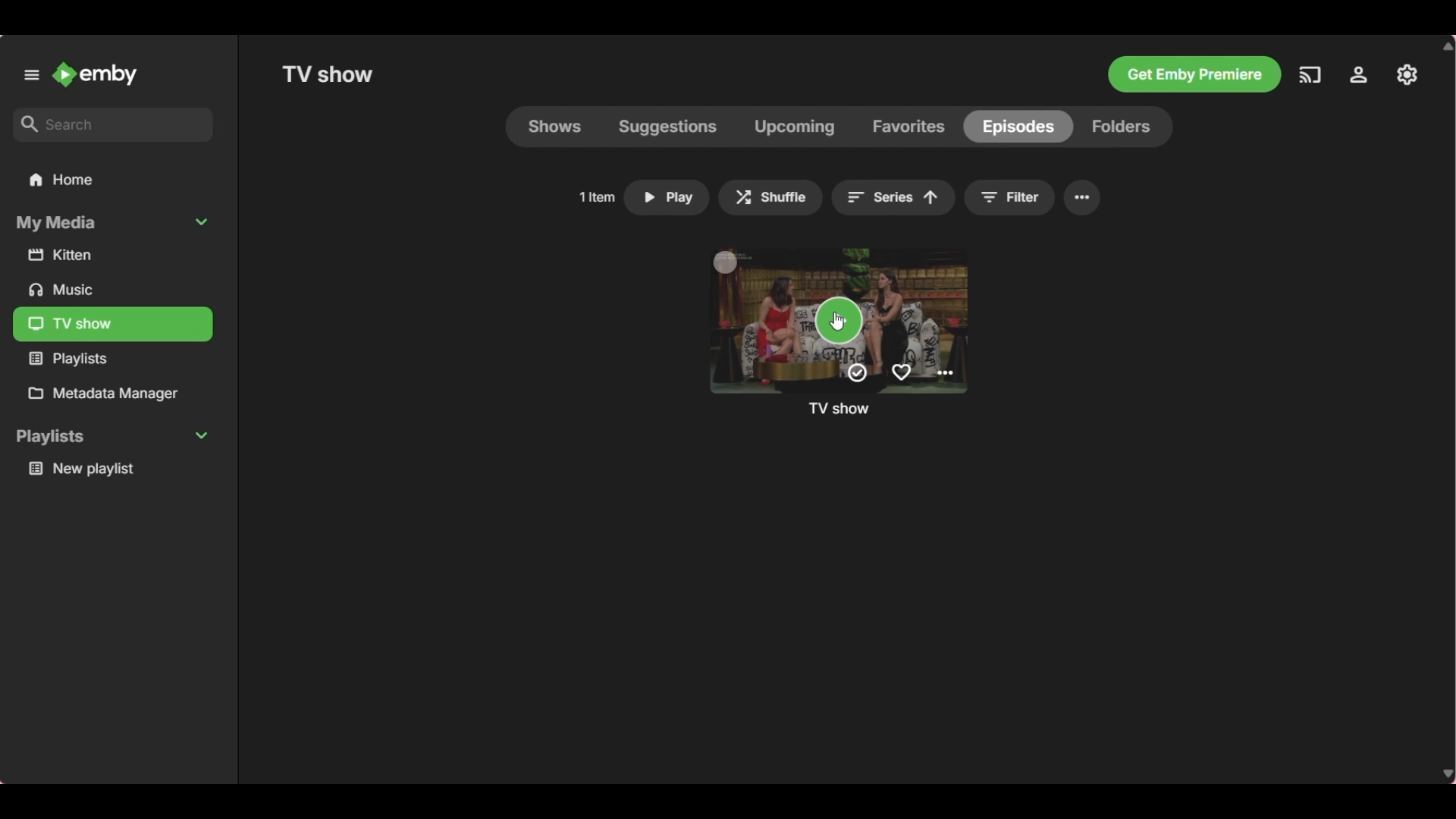 Image resolution: width=1456 pixels, height=819 pixels. I want to click on Unpin left panel, so click(32, 75).